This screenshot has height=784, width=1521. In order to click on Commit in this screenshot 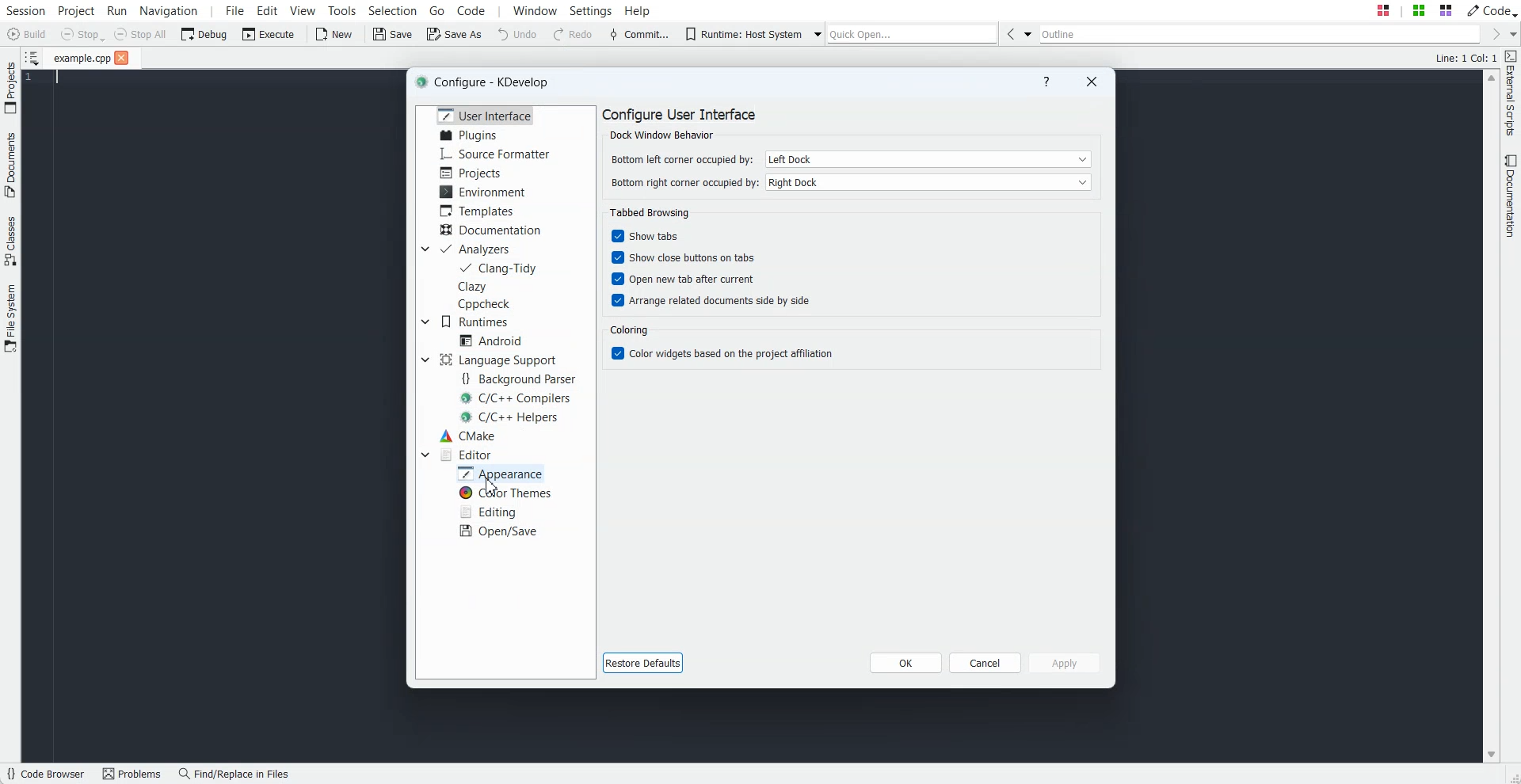, I will do `click(639, 34)`.